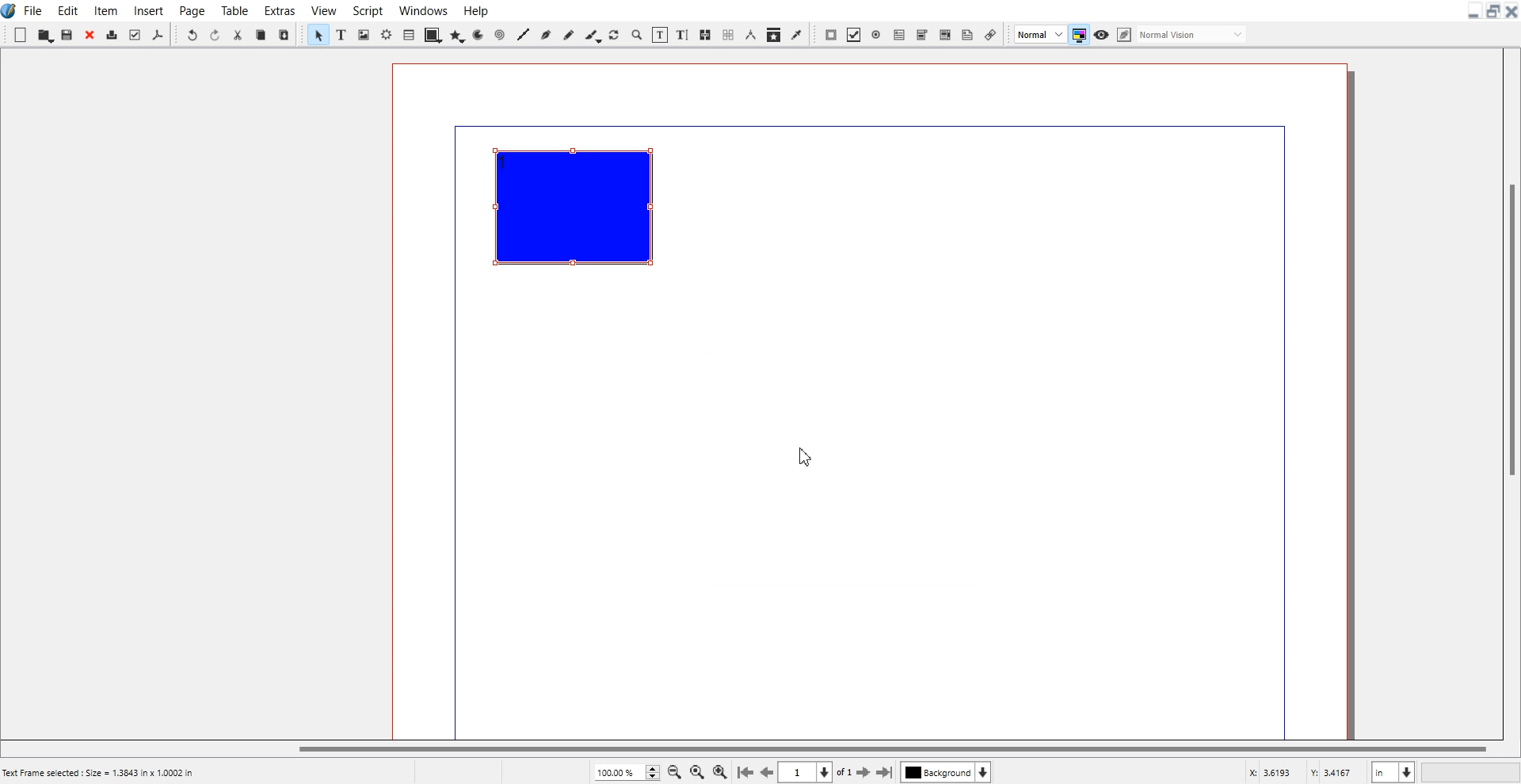  I want to click on Measurement in inches, so click(1393, 771).